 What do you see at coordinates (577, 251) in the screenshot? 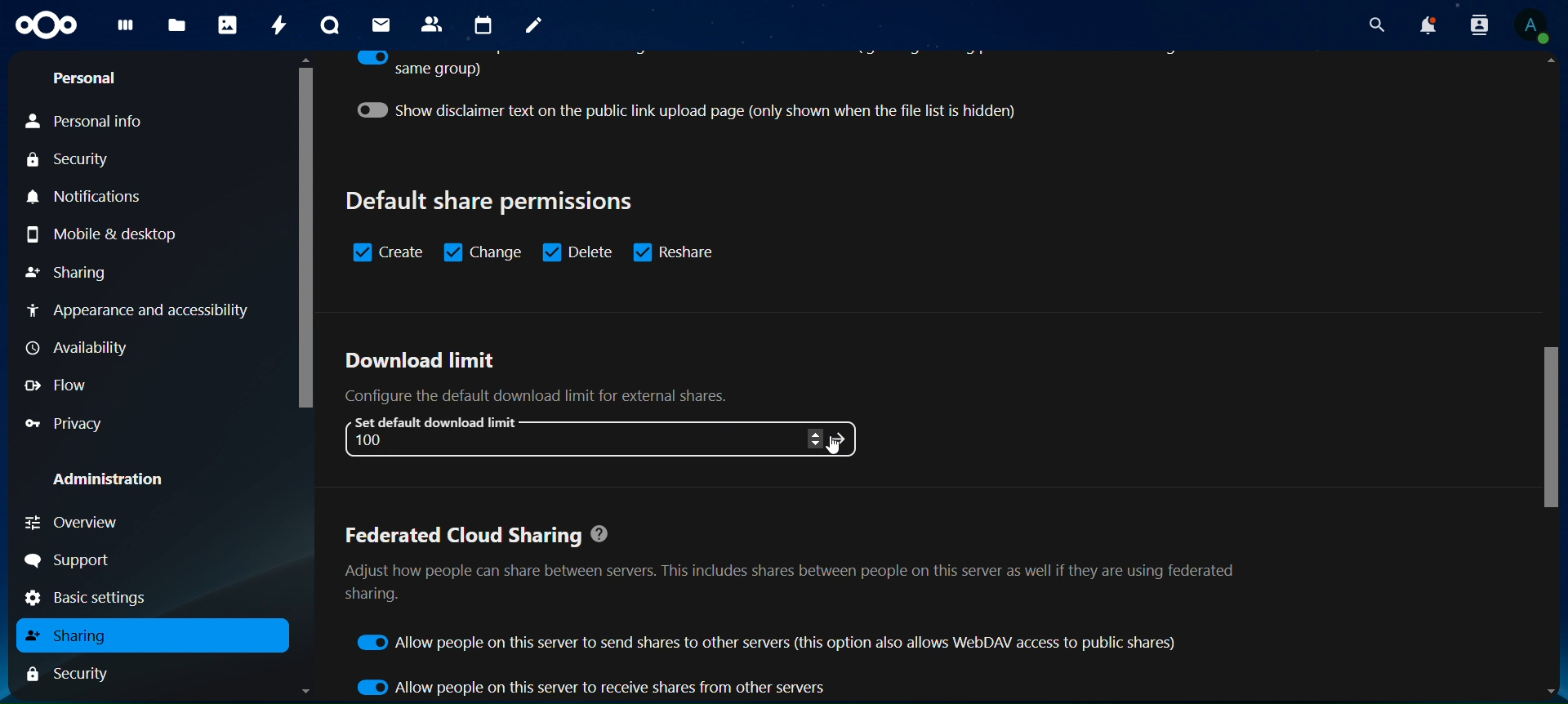
I see `delete` at bounding box center [577, 251].